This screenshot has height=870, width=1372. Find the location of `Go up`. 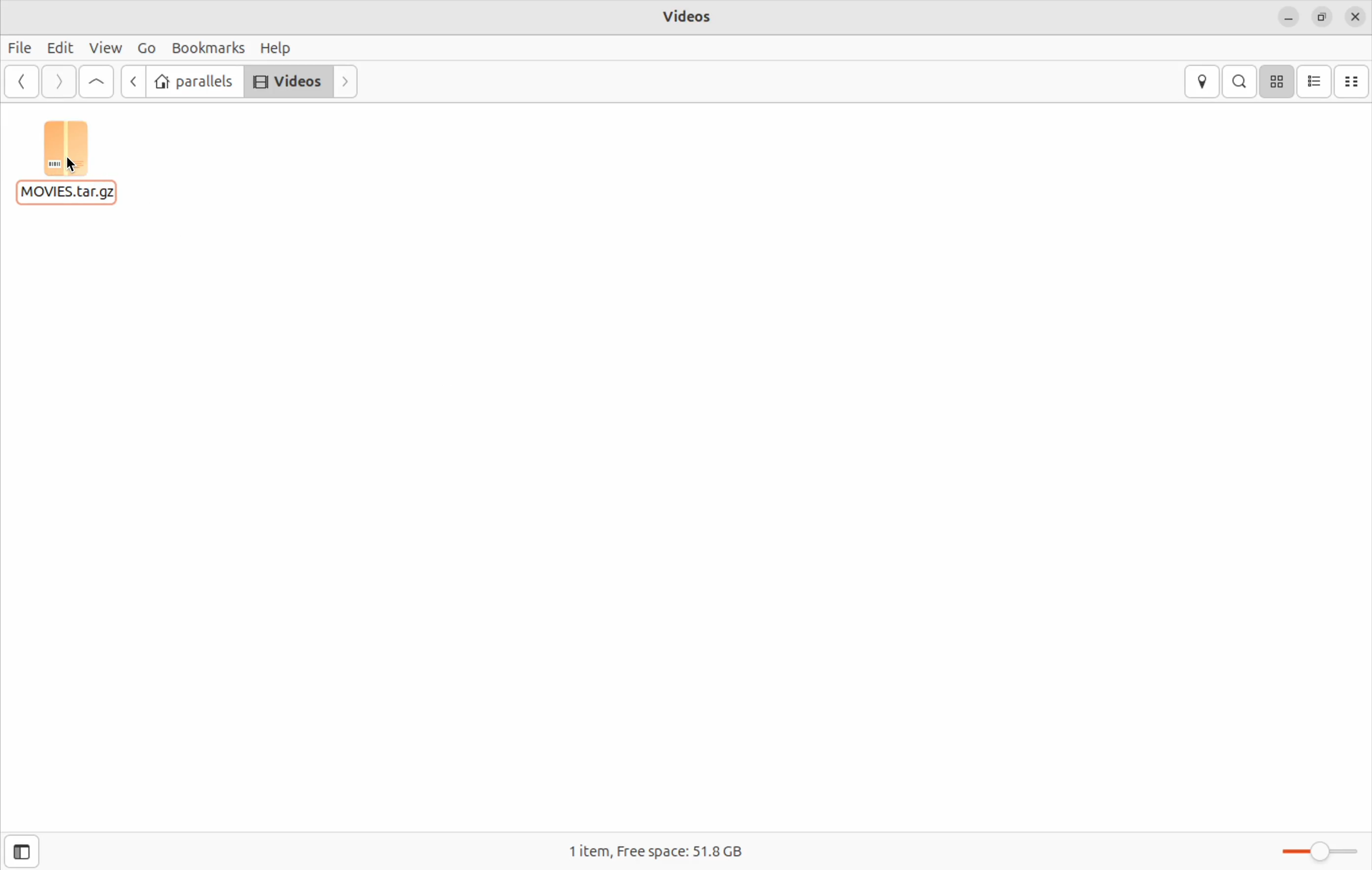

Go up is located at coordinates (97, 80).